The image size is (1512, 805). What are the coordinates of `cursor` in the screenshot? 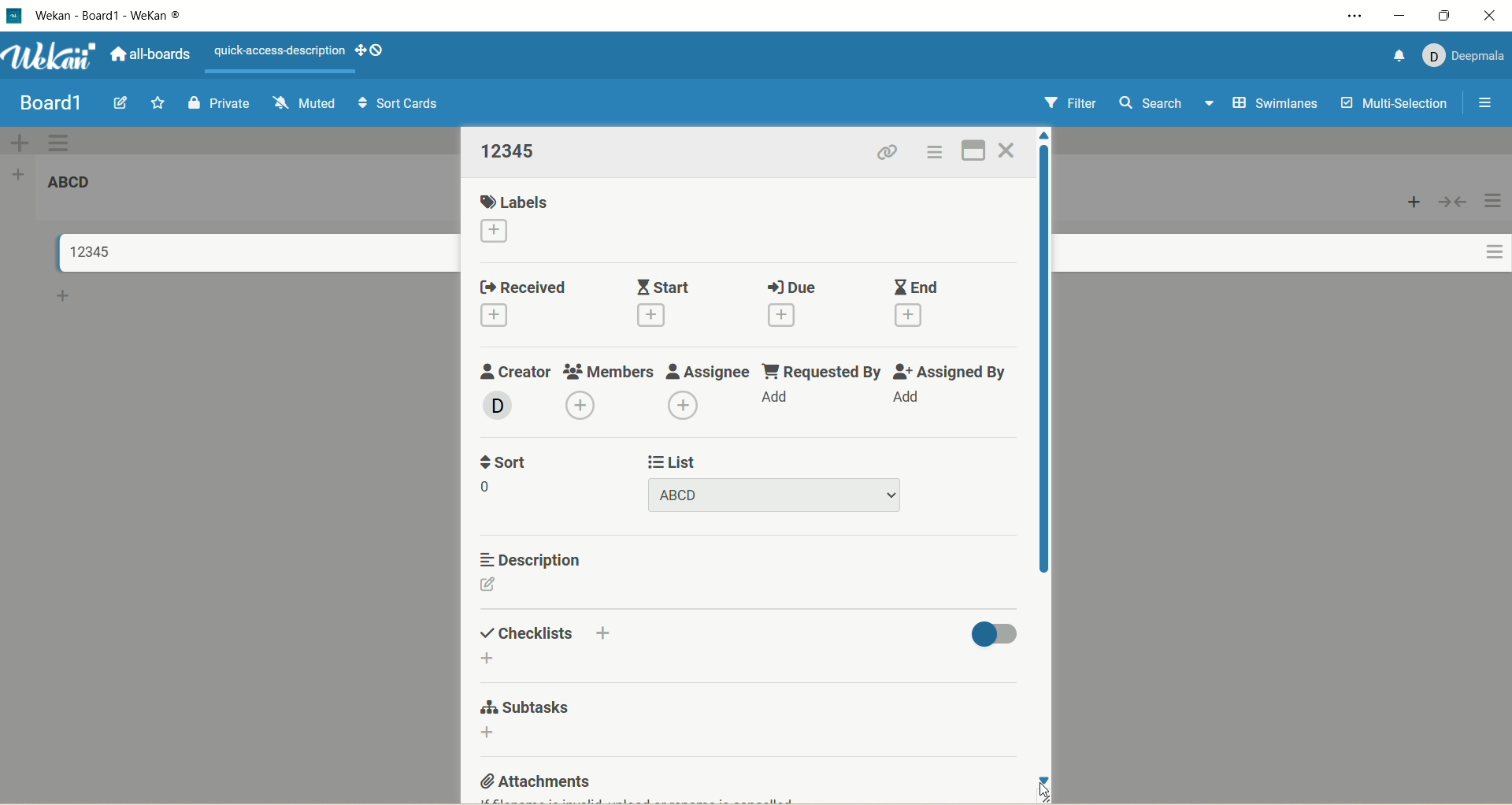 It's located at (1050, 793).